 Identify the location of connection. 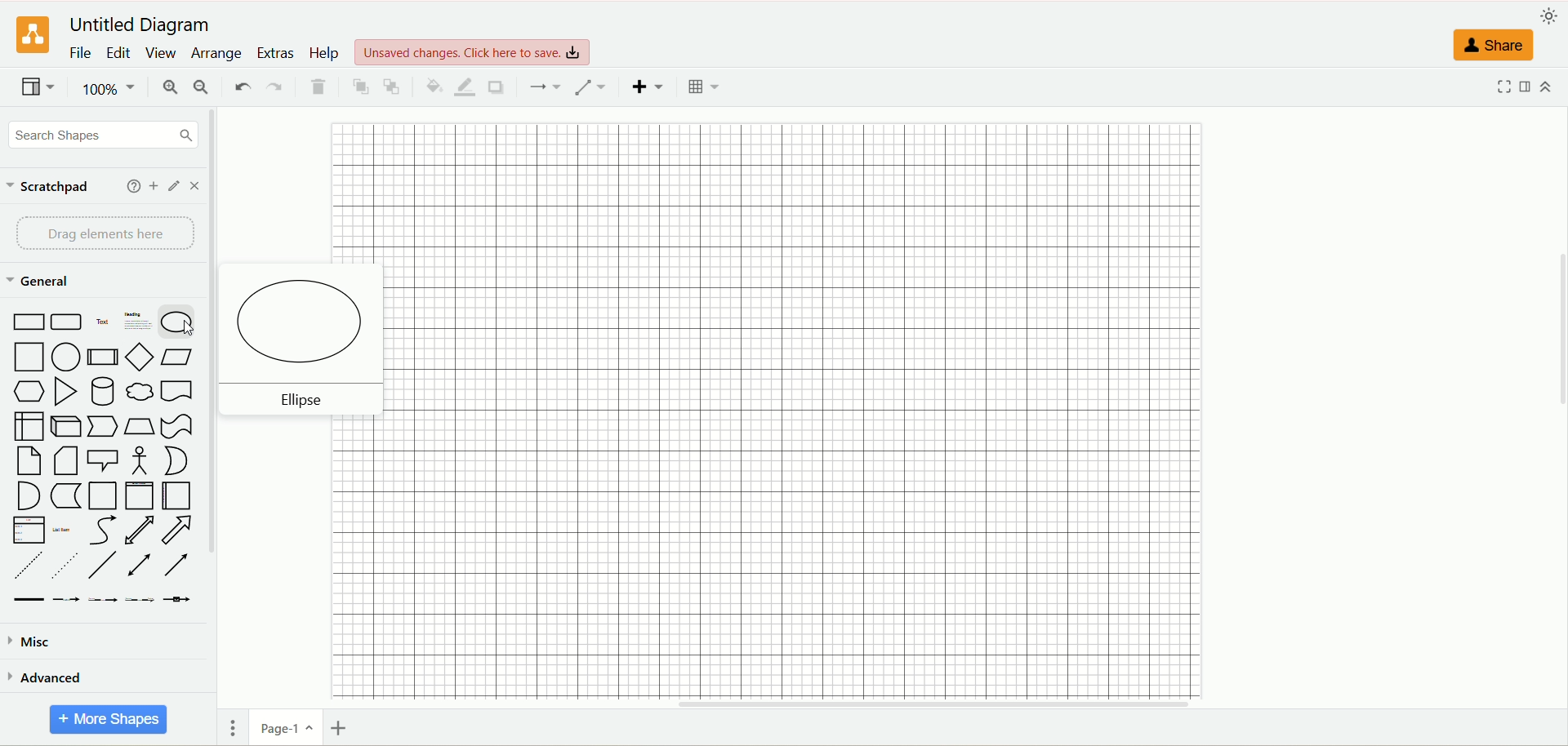
(547, 86).